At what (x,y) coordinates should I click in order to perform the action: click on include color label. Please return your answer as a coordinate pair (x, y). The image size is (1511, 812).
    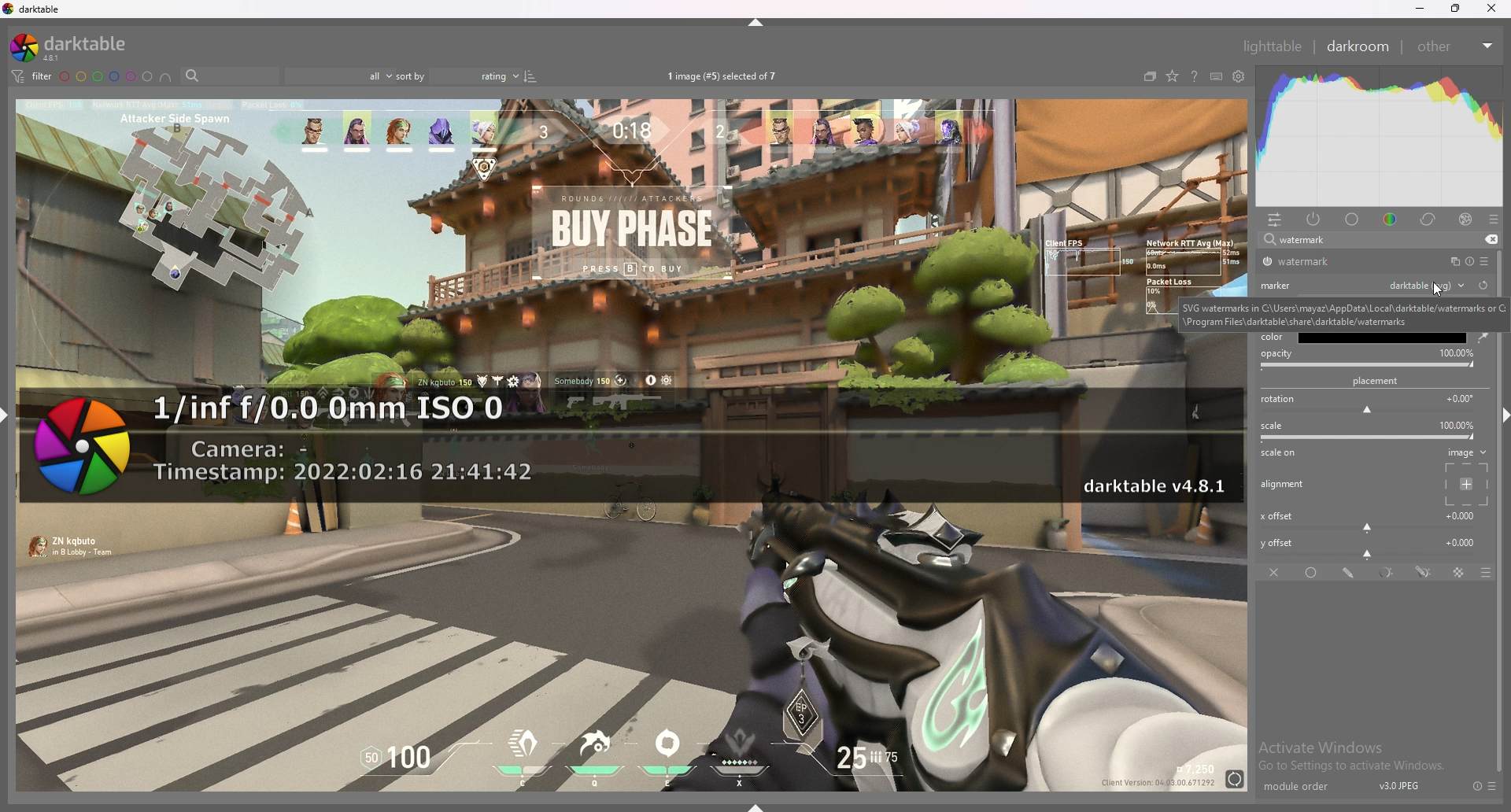
    Looking at the image, I should click on (165, 77).